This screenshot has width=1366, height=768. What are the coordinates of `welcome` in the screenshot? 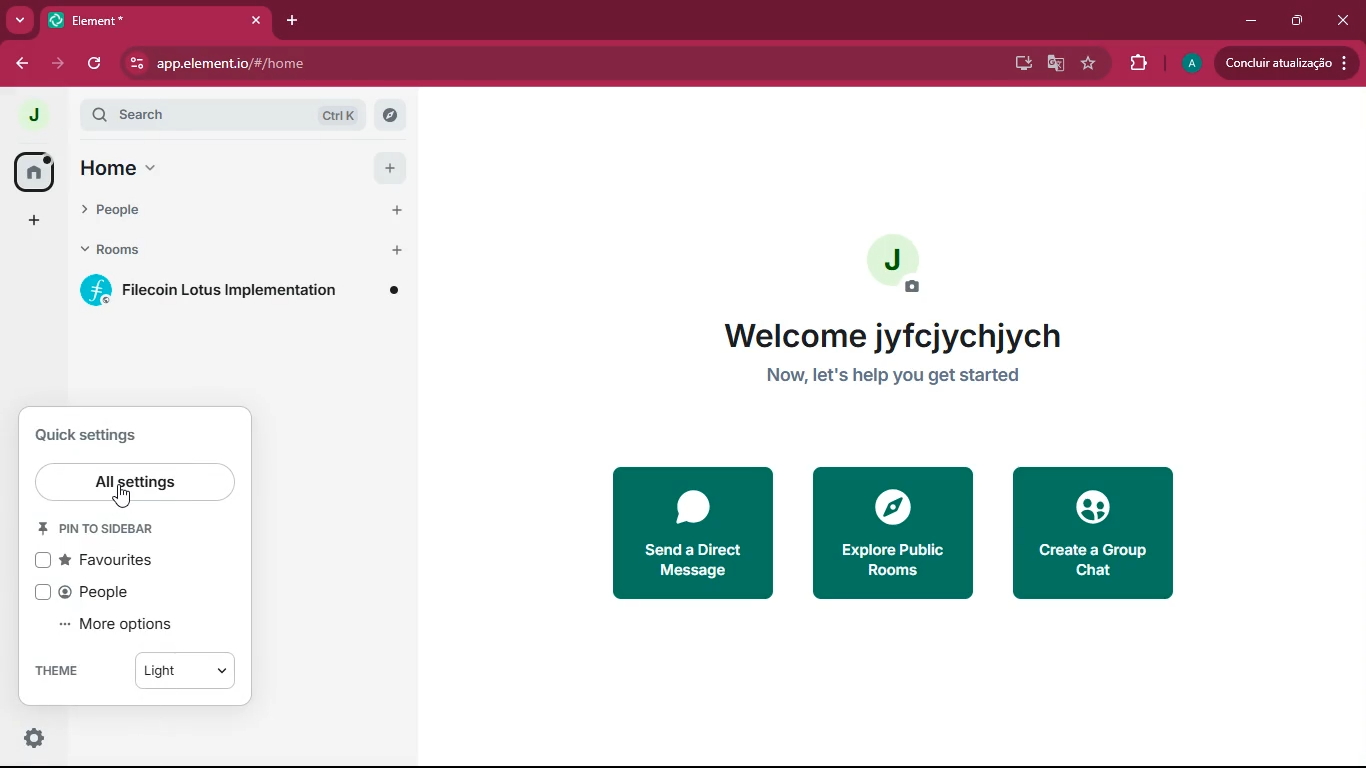 It's located at (913, 336).